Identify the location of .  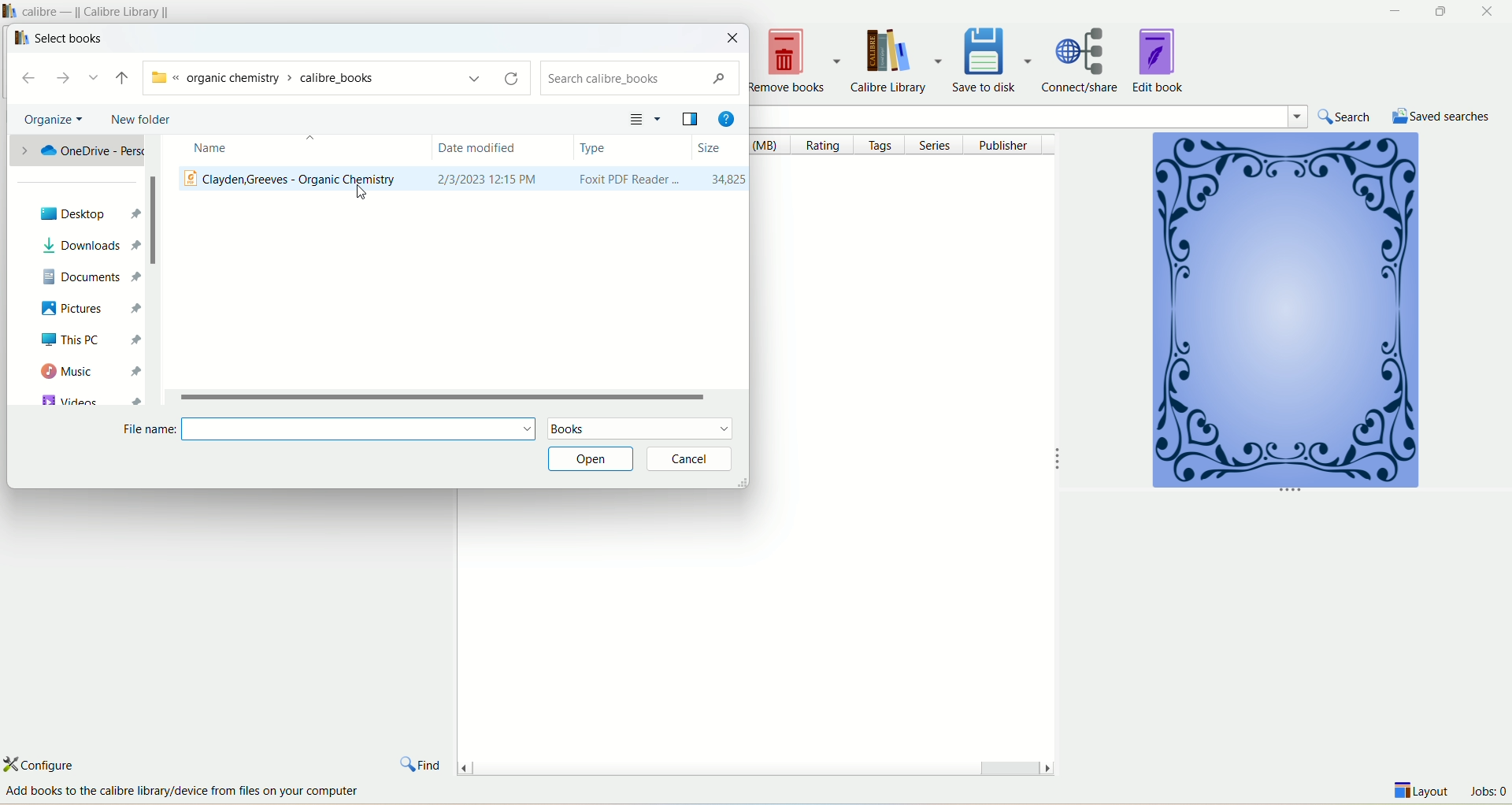
(197, 792).